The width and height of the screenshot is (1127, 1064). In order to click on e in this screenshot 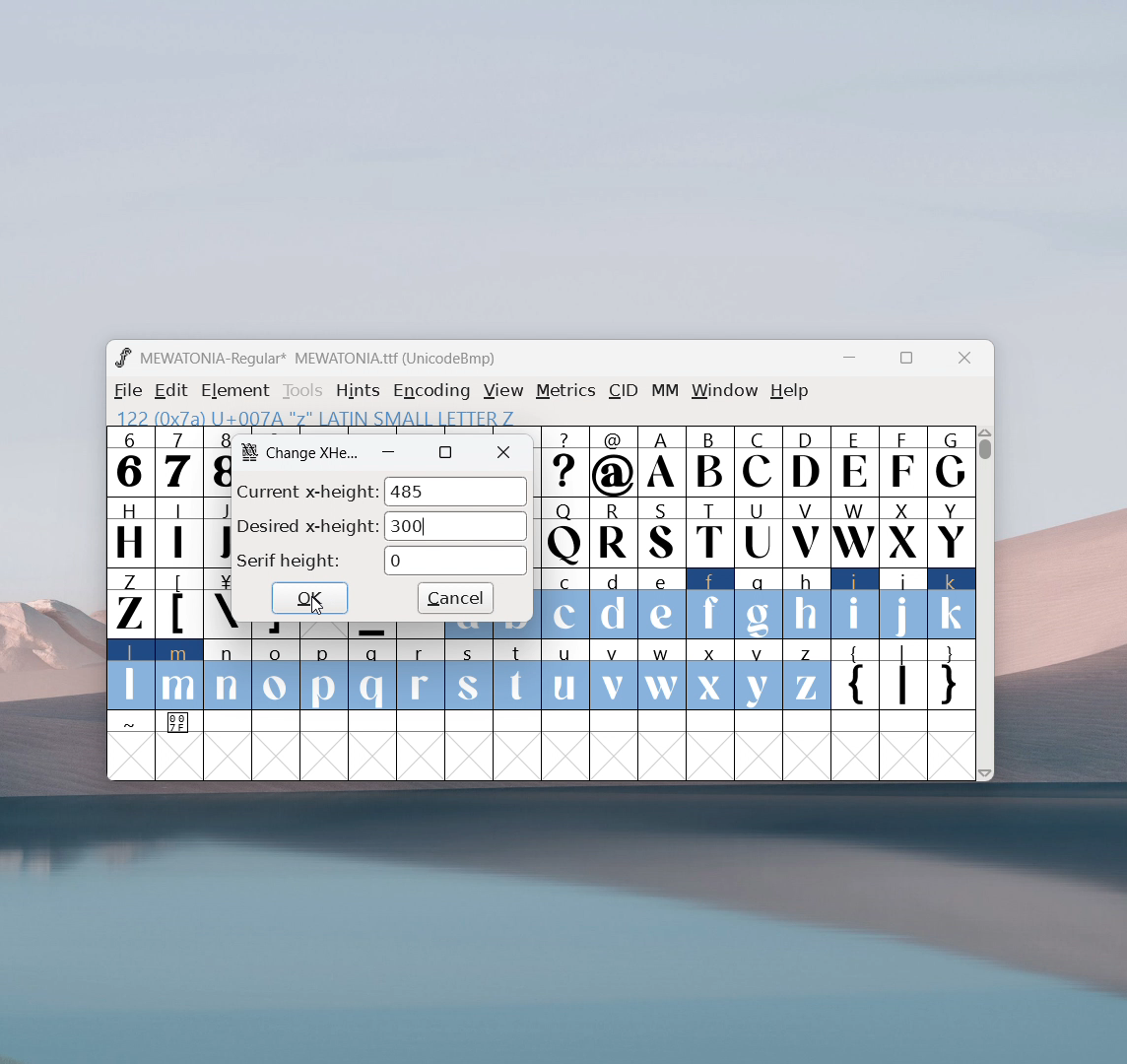, I will do `click(662, 605)`.